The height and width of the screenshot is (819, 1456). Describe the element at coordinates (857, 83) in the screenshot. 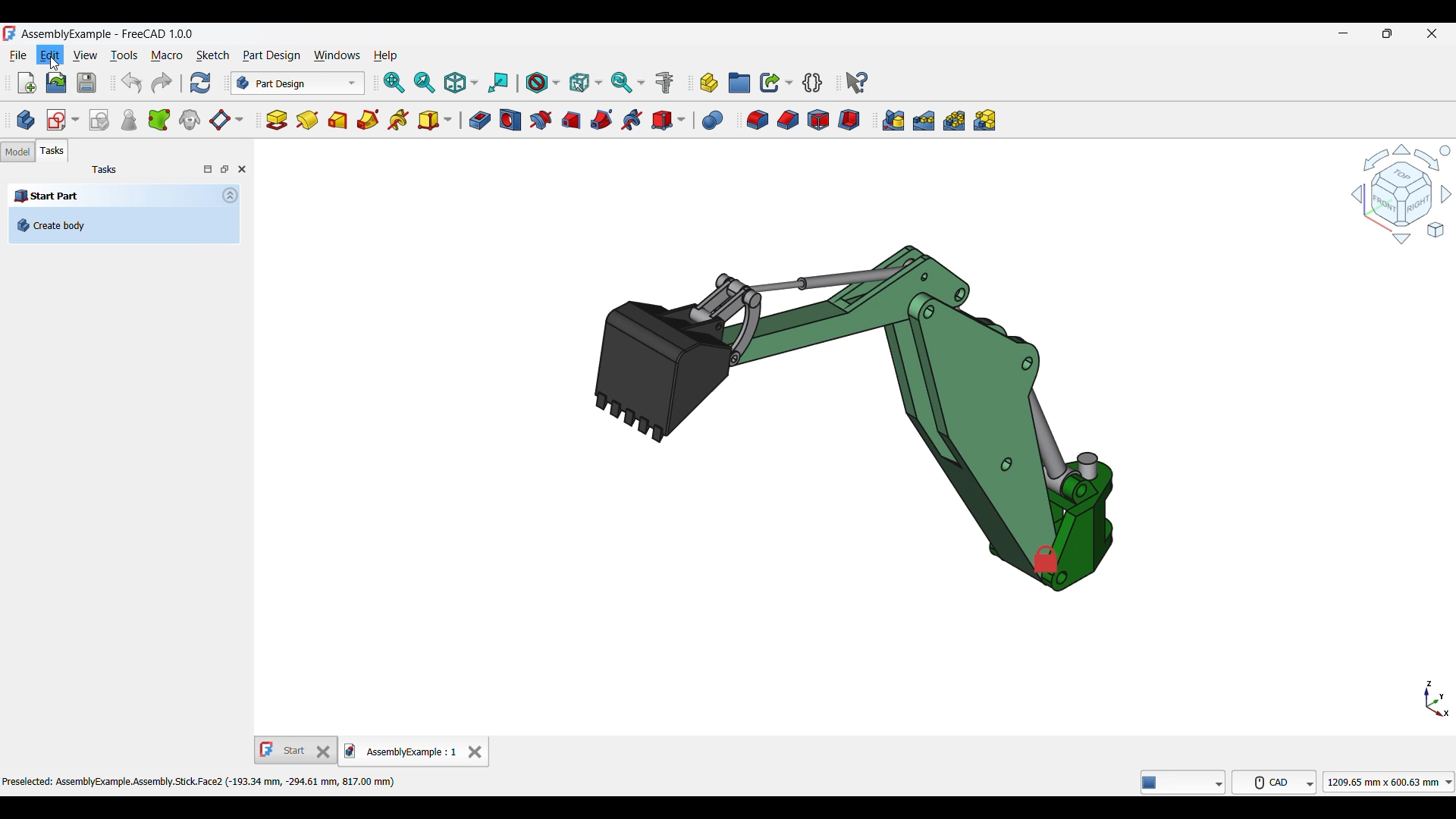

I see `What's this` at that location.